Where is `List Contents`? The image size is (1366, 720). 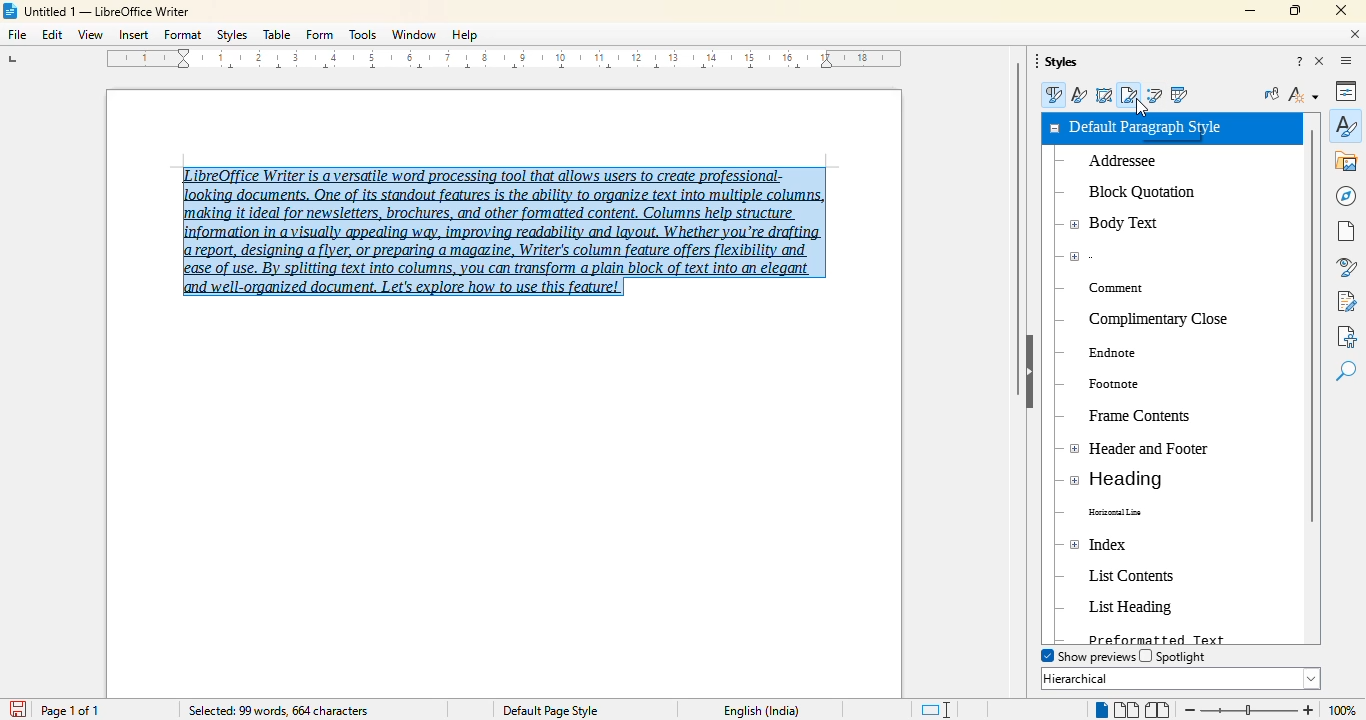
List Contents is located at coordinates (1146, 573).